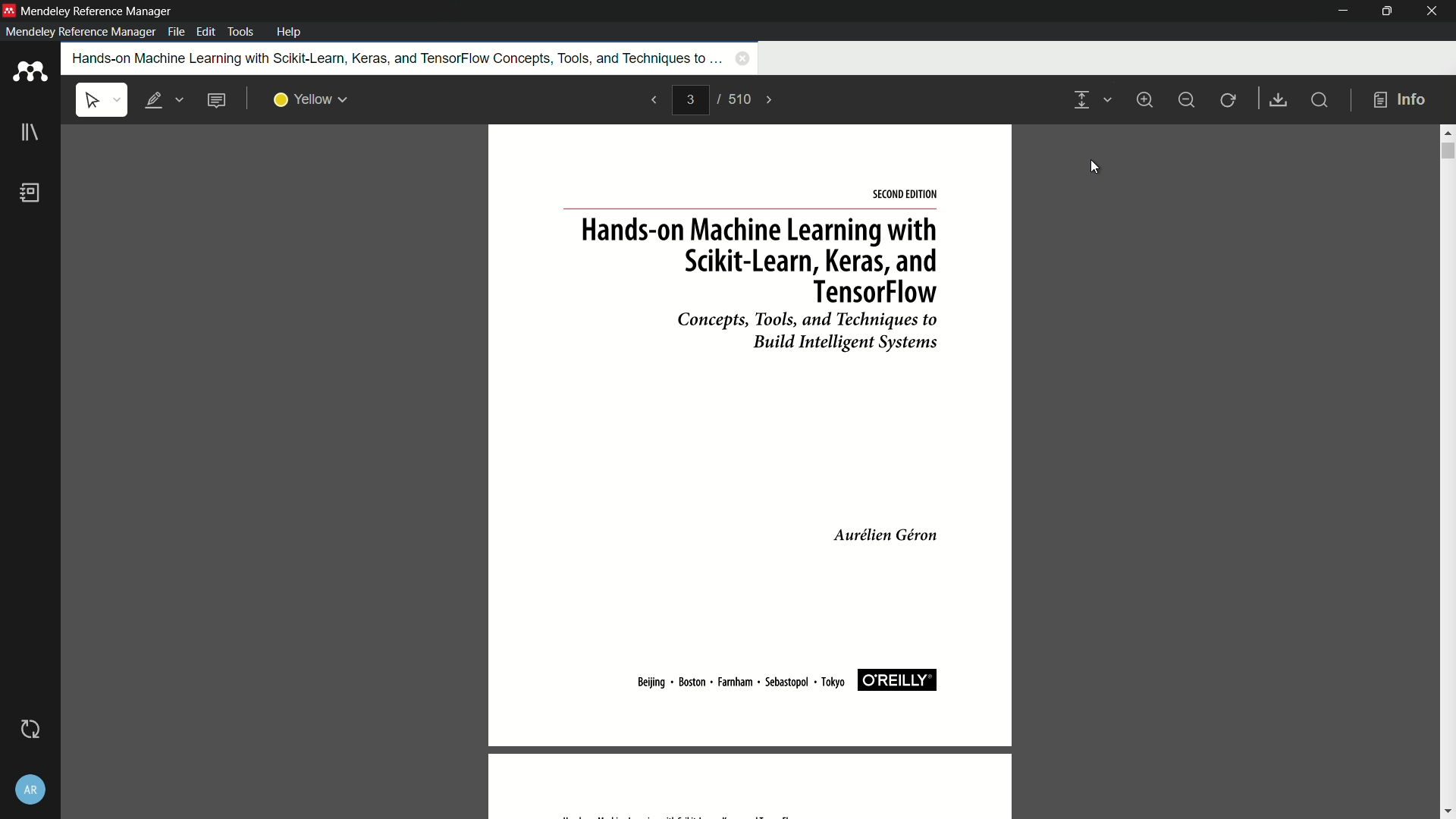 This screenshot has width=1456, height=819. Describe the element at coordinates (1096, 167) in the screenshot. I see `cursor` at that location.